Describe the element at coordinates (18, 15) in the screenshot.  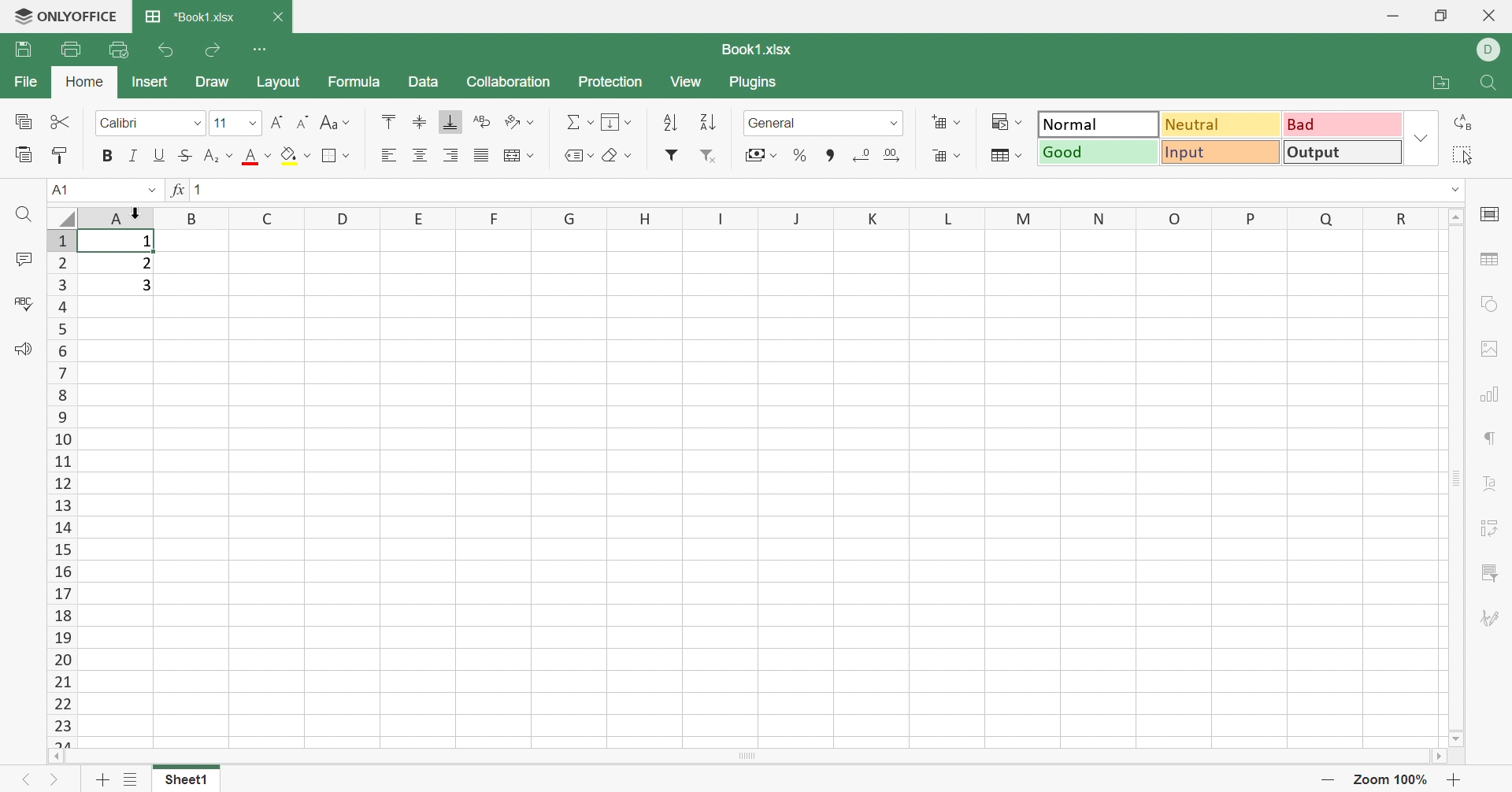
I see `logo` at that location.